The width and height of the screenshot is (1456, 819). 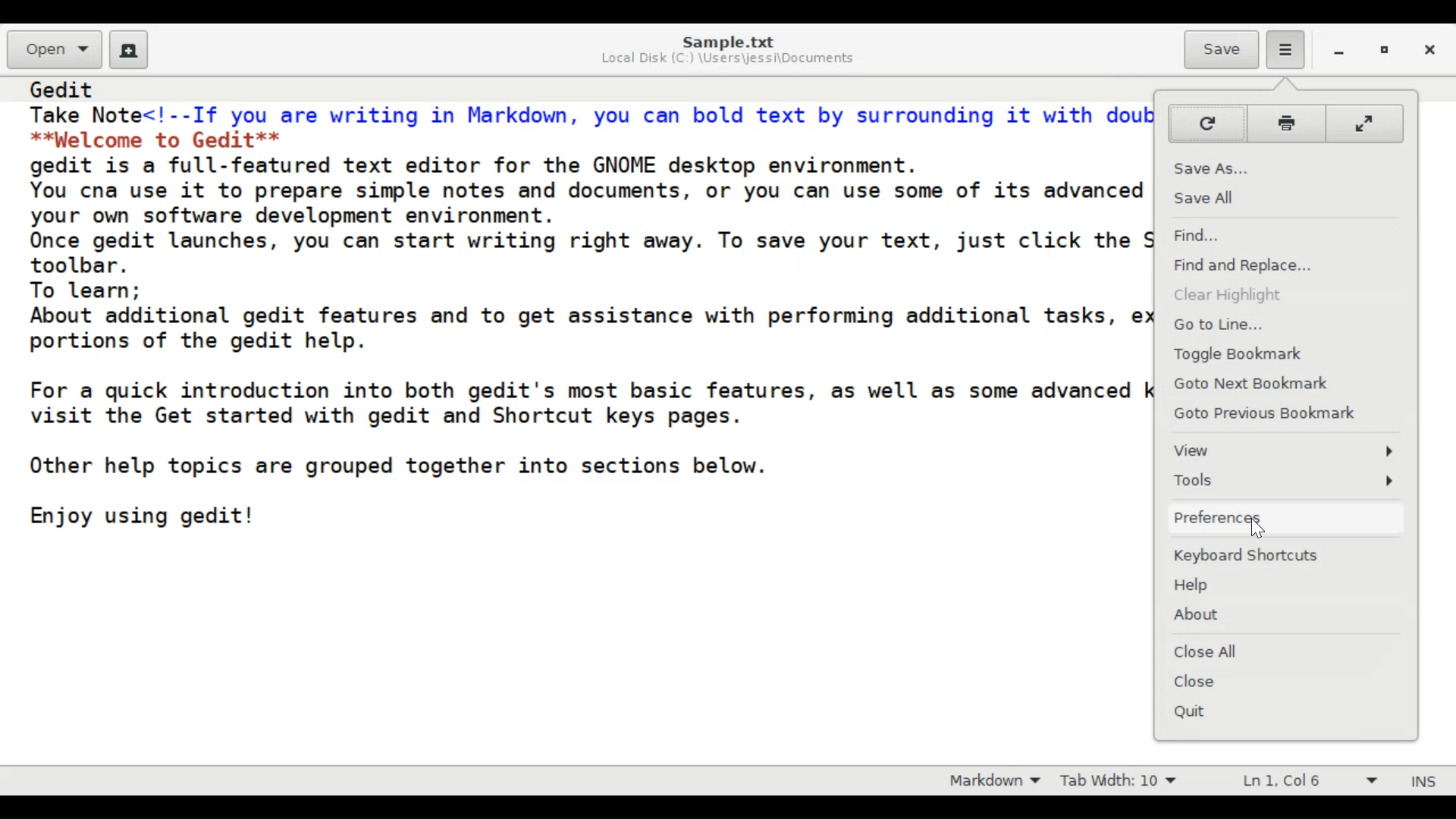 I want to click on Tab Width: 10, so click(x=1126, y=780).